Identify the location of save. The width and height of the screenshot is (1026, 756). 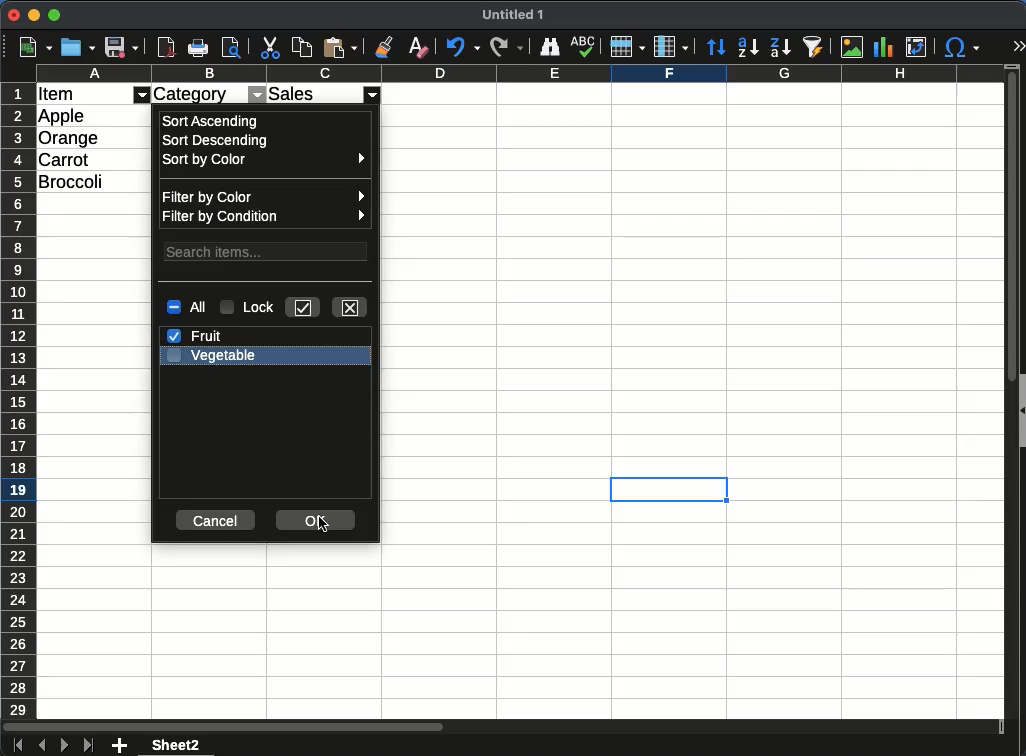
(123, 47).